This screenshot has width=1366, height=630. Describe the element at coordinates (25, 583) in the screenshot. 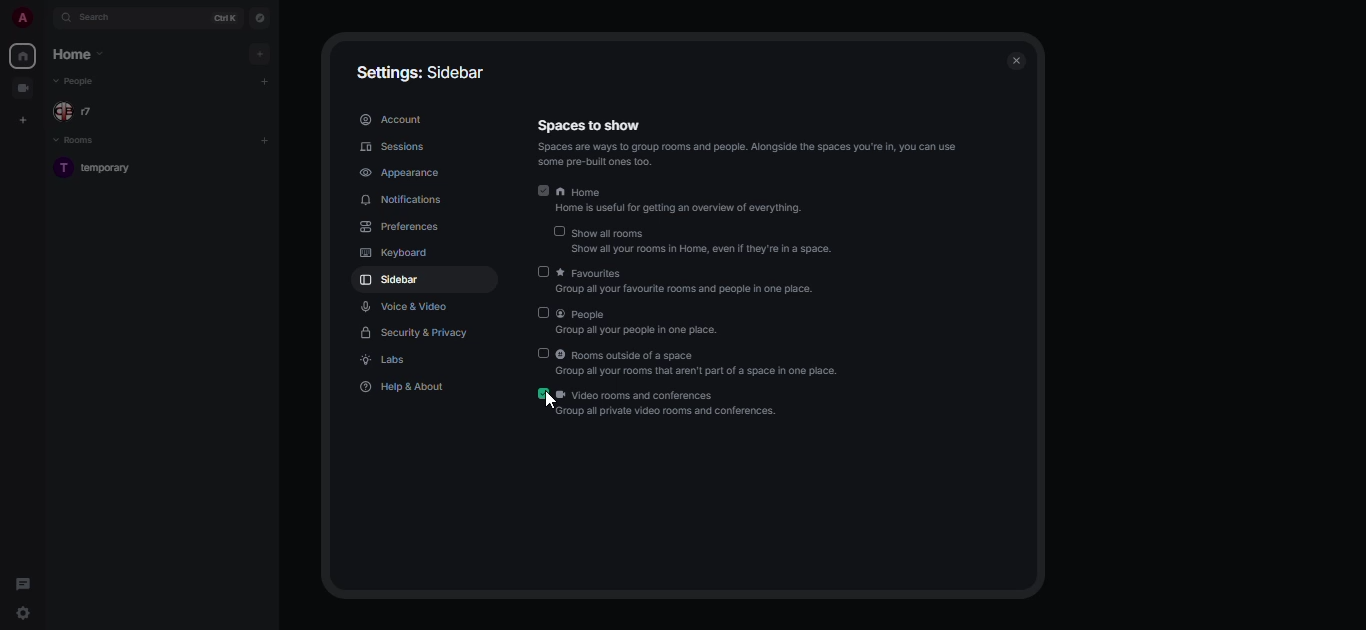

I see `threads` at that location.